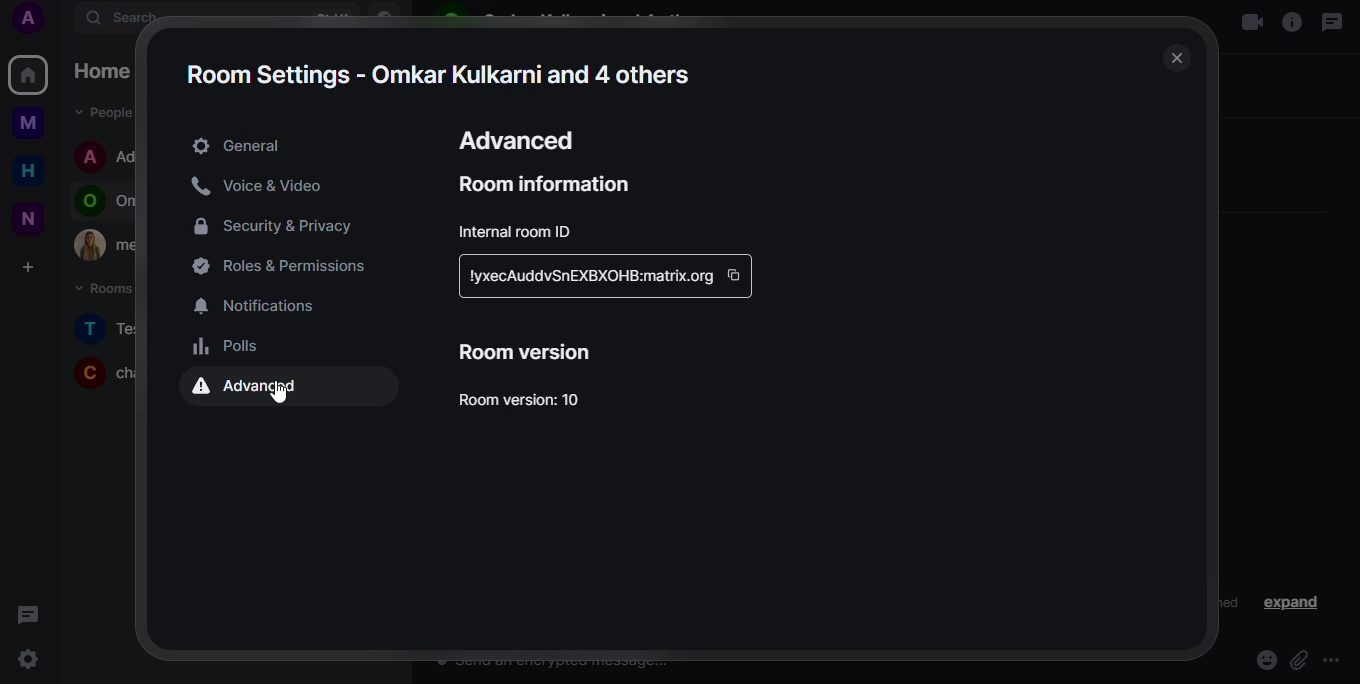  Describe the element at coordinates (35, 218) in the screenshot. I see `n` at that location.